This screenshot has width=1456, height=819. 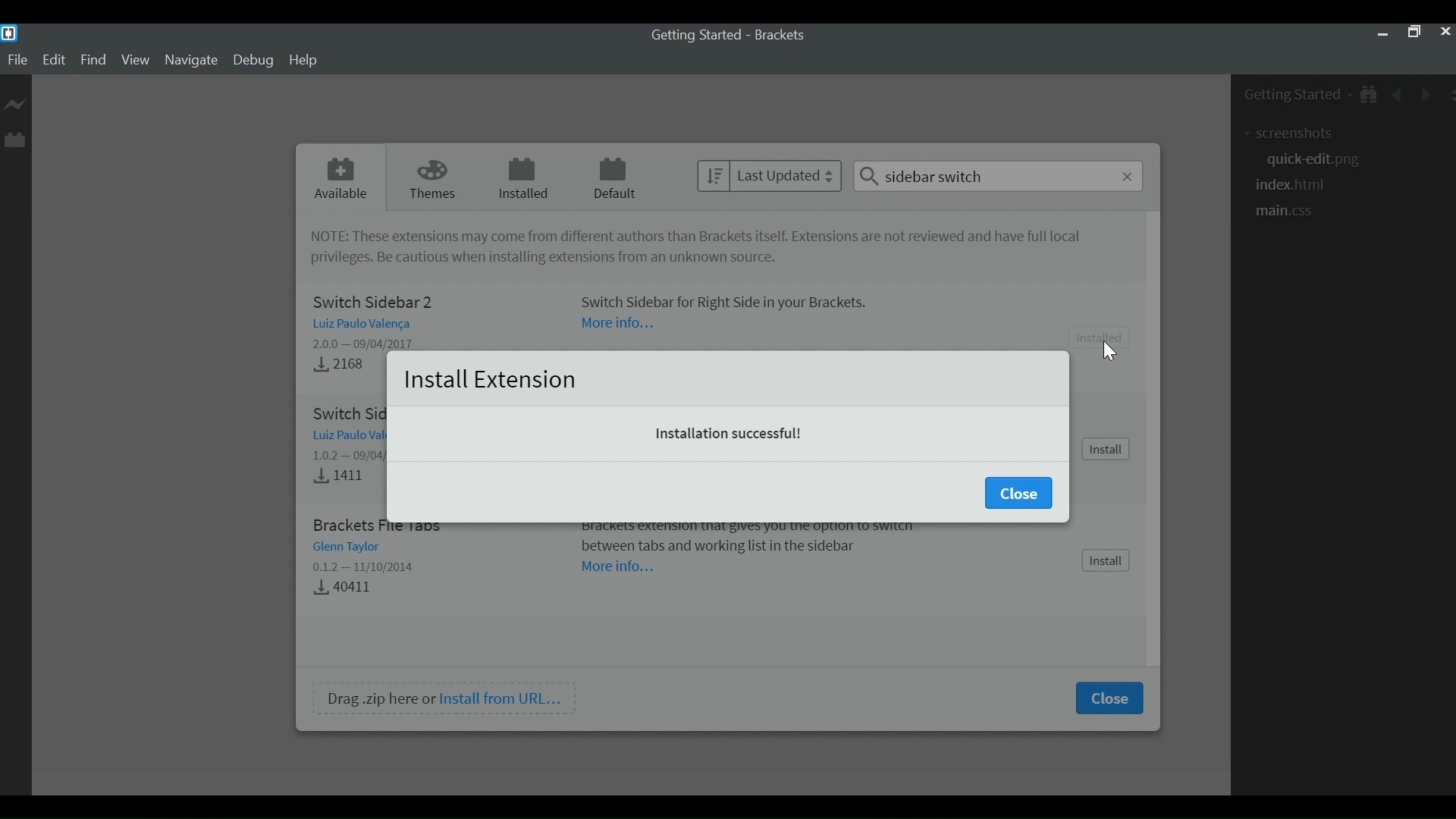 I want to click on Be cautious when installing extensions from unknown source, so click(x=547, y=259).